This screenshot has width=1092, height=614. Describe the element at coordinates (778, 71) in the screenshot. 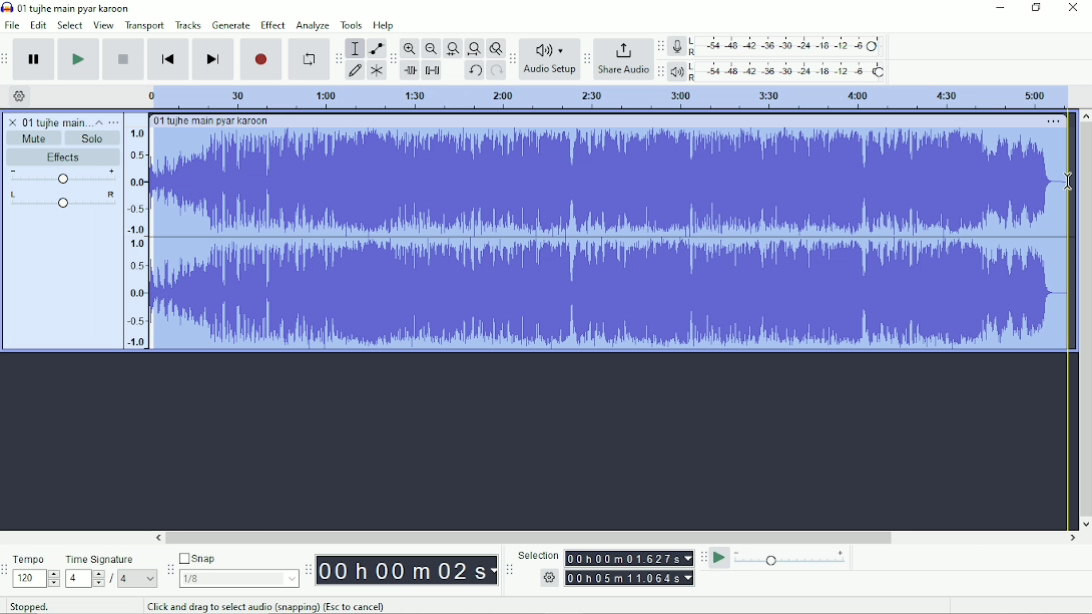

I see `Playback meter` at that location.